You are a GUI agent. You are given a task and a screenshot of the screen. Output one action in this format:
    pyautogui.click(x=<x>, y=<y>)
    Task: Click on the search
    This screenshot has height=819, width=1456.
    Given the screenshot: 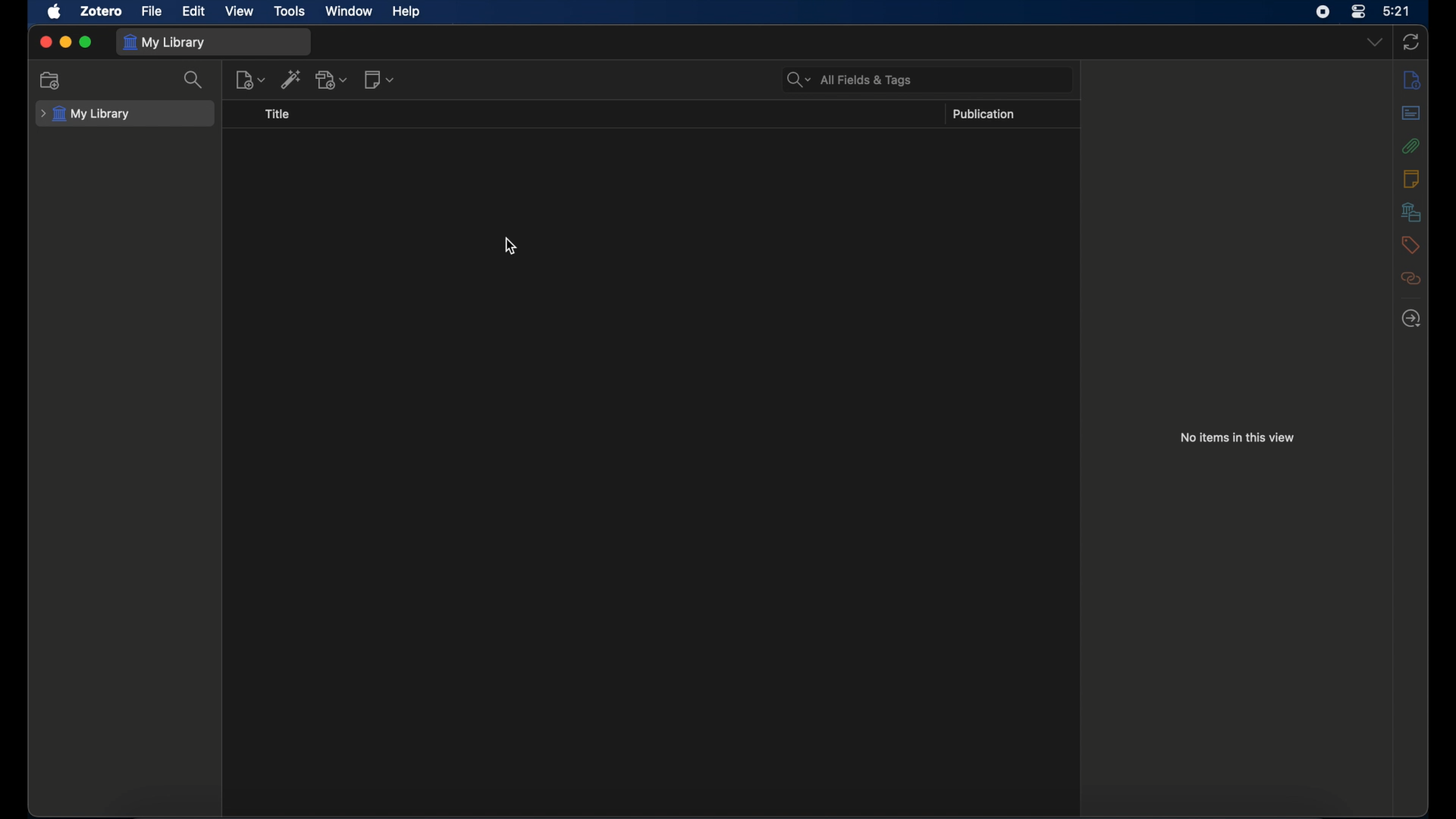 What is the action you would take?
    pyautogui.click(x=193, y=80)
    